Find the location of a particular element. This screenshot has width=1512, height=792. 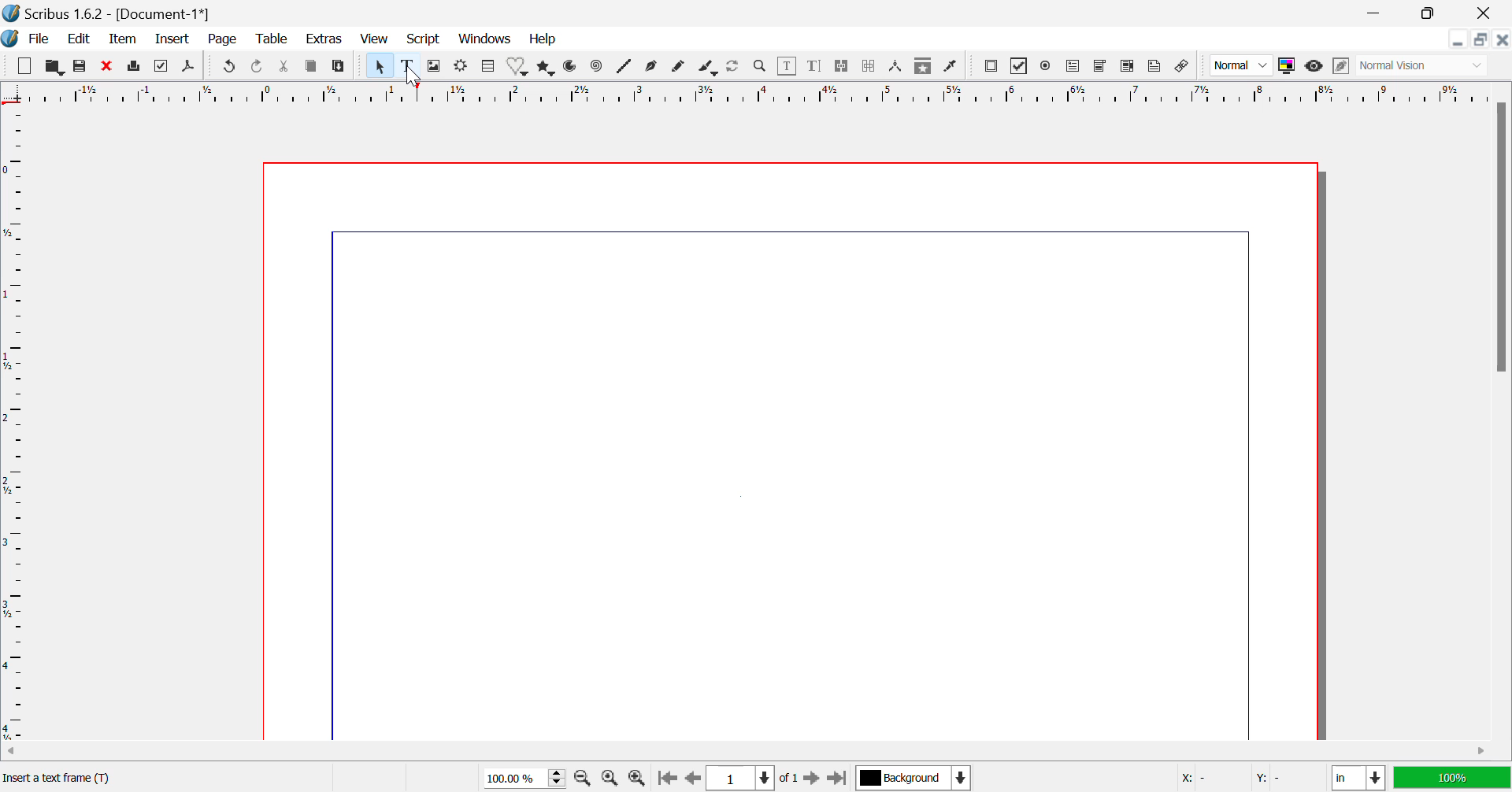

Minimize is located at coordinates (1429, 12).